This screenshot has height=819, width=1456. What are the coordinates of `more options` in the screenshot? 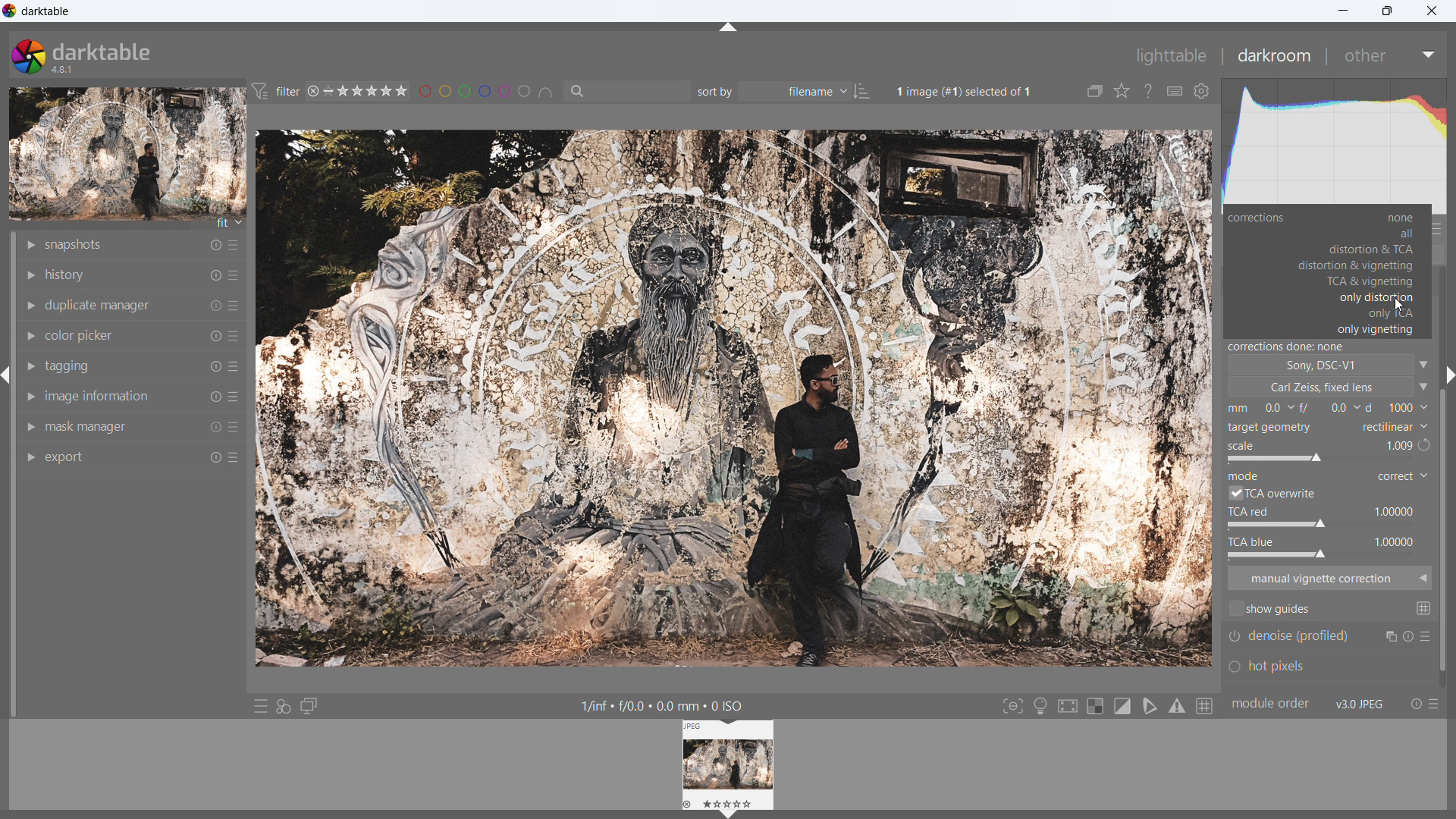 It's located at (238, 367).